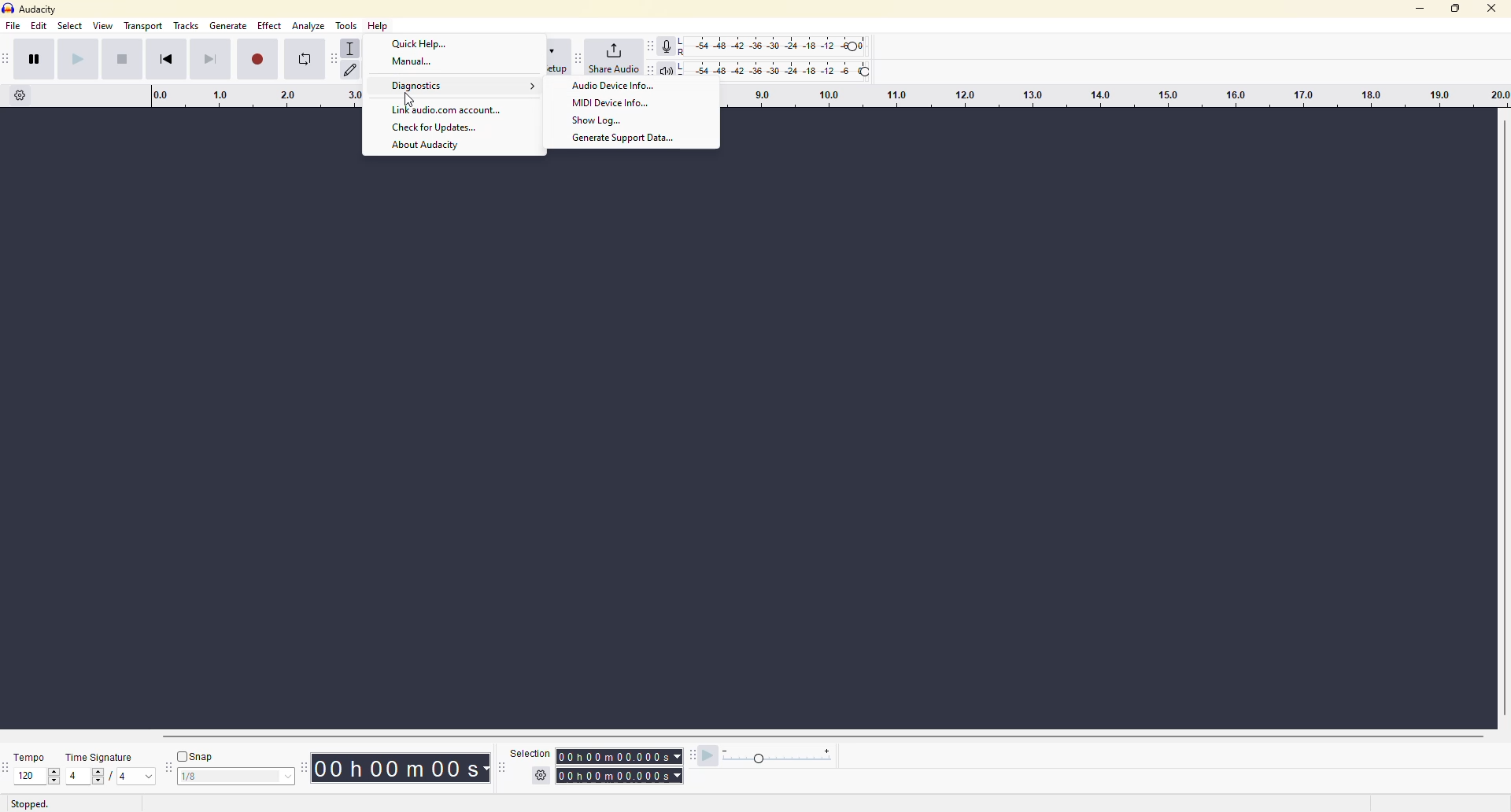 This screenshot has width=1511, height=812. What do you see at coordinates (613, 87) in the screenshot?
I see `Audio Device Info,` at bounding box center [613, 87].